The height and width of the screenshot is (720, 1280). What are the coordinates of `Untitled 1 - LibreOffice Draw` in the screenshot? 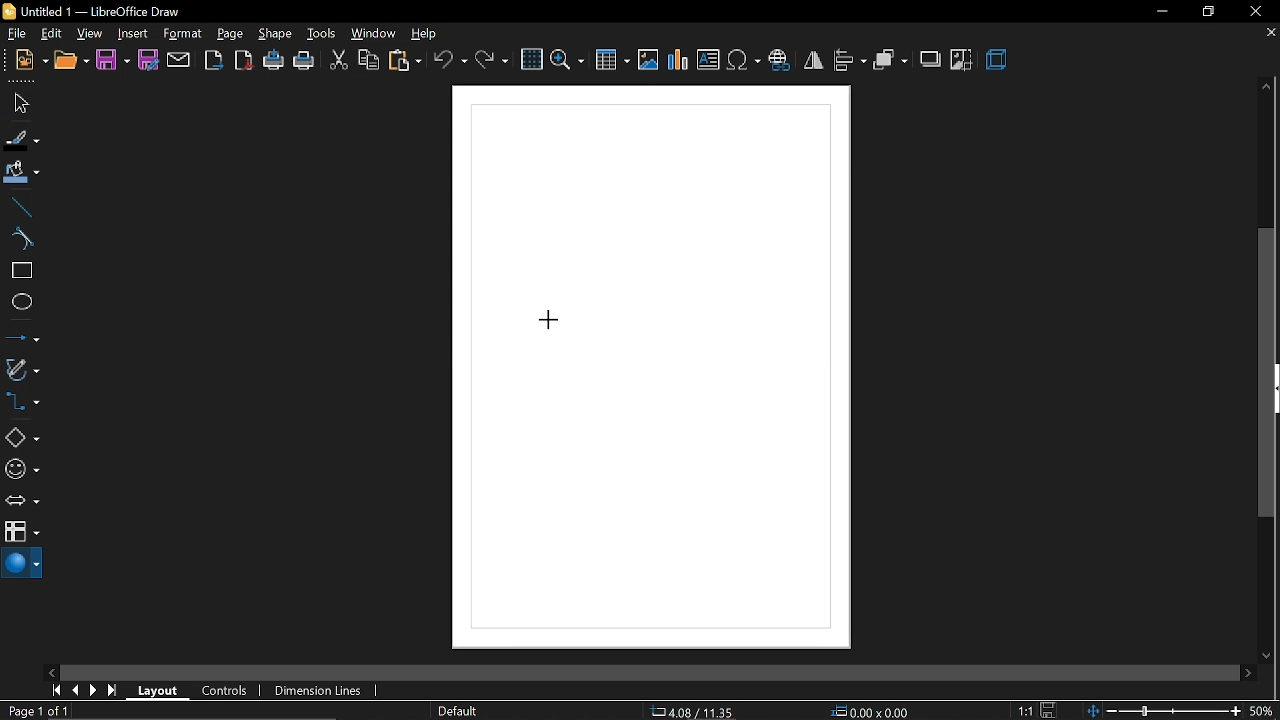 It's located at (91, 9).